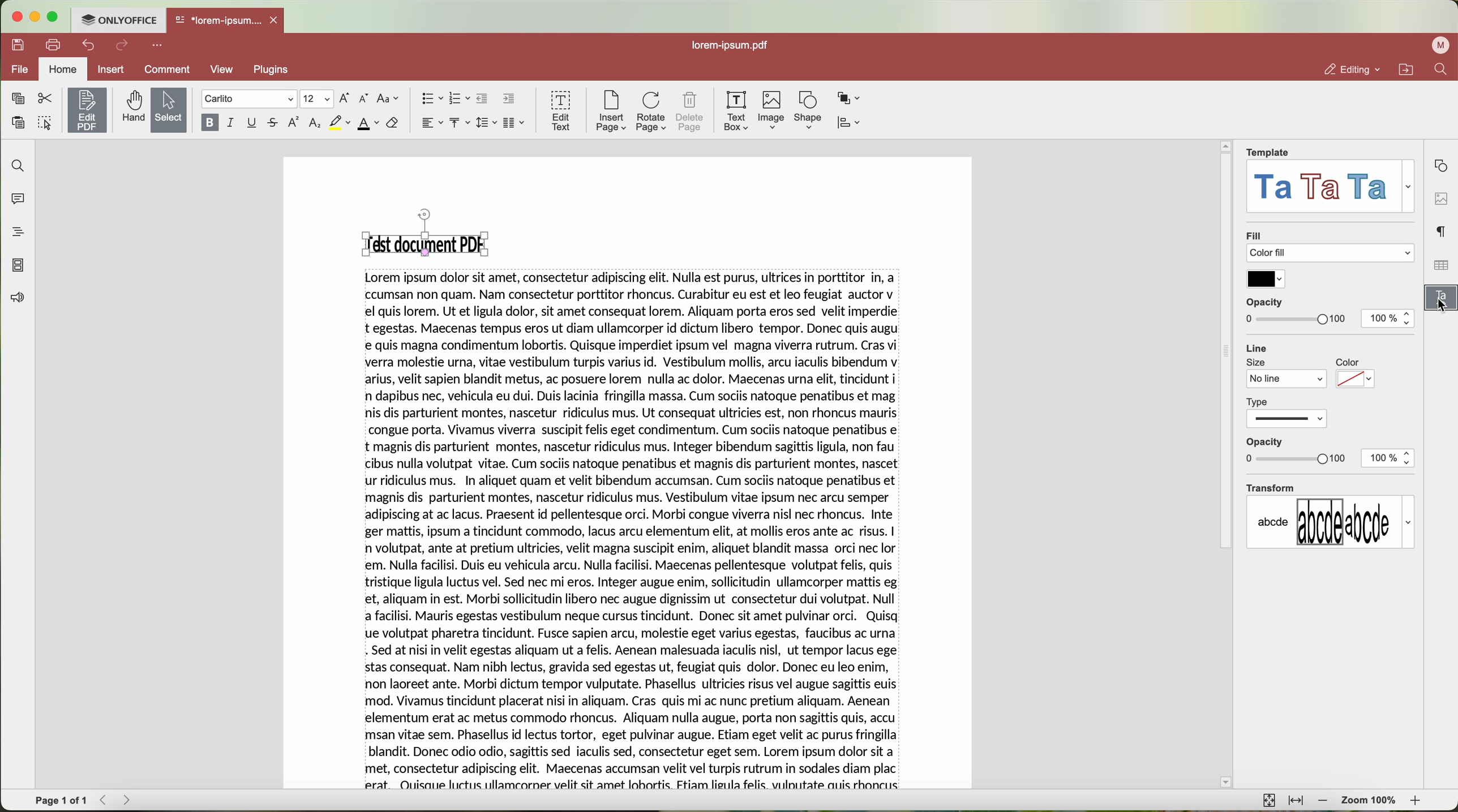 The width and height of the screenshot is (1458, 812). What do you see at coordinates (460, 99) in the screenshot?
I see `numbered list` at bounding box center [460, 99].